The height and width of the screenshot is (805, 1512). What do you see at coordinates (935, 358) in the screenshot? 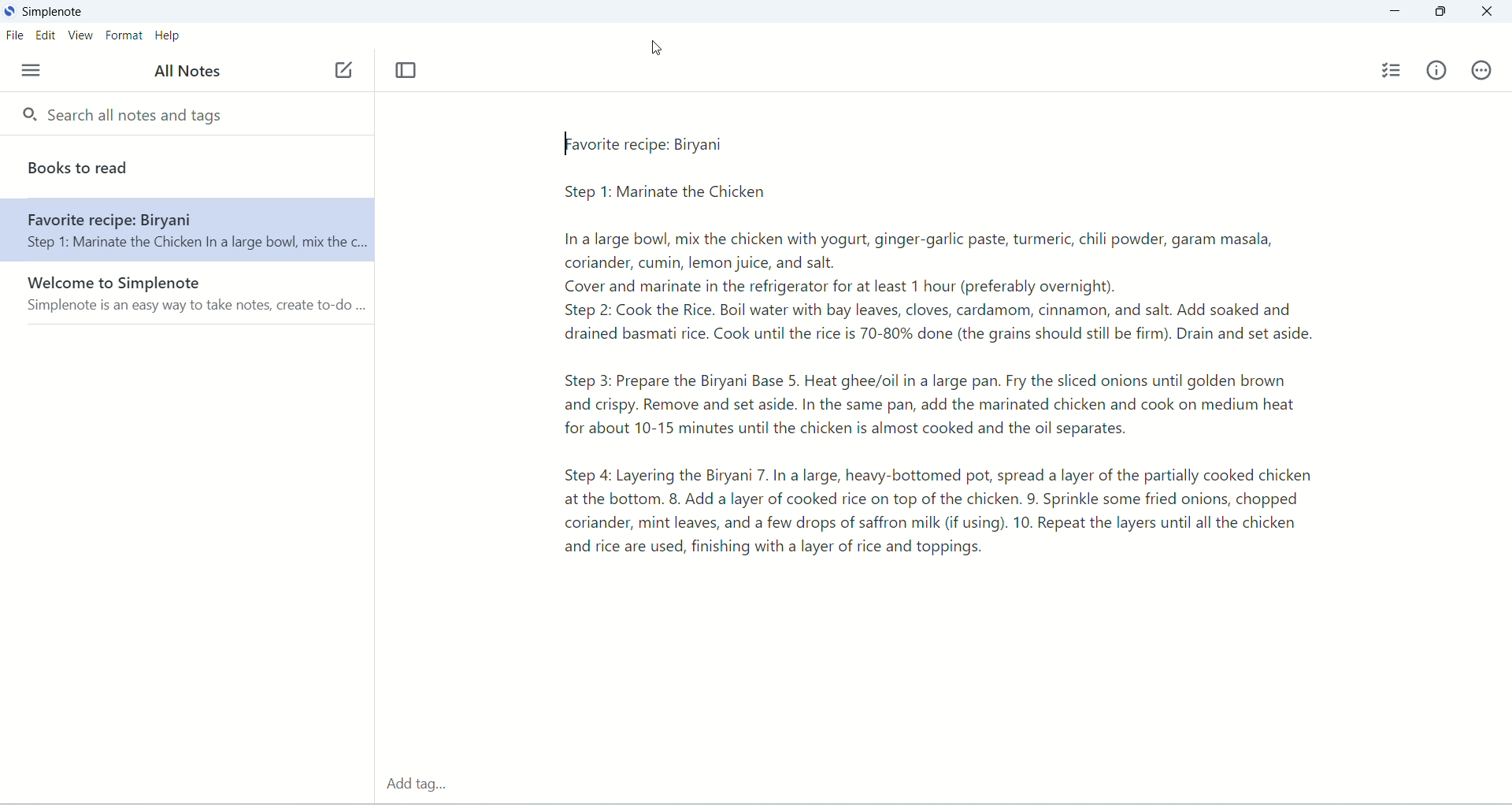
I see `favorite recipe description` at bounding box center [935, 358].